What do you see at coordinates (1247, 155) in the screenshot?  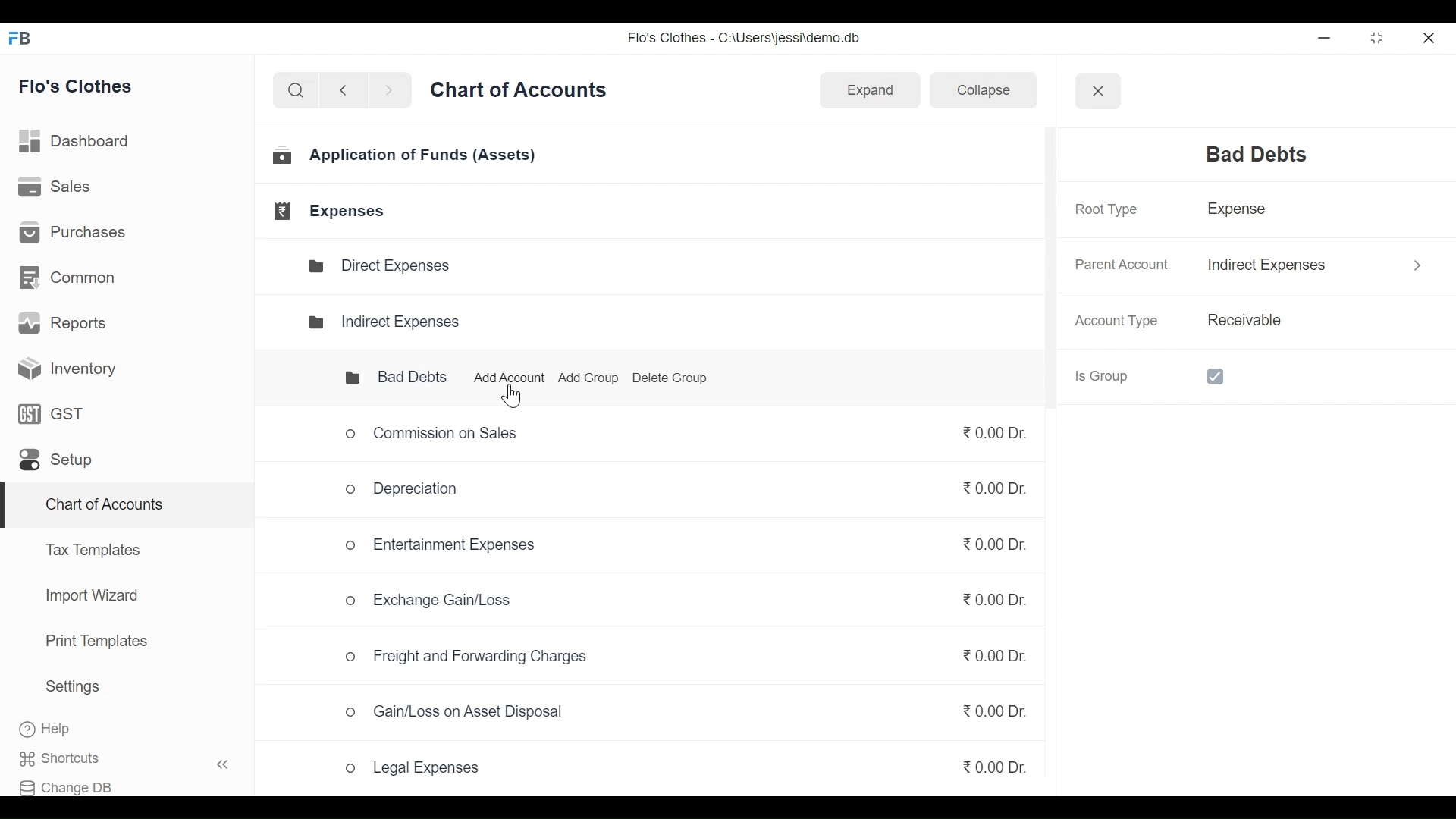 I see `Bad Debts` at bounding box center [1247, 155].